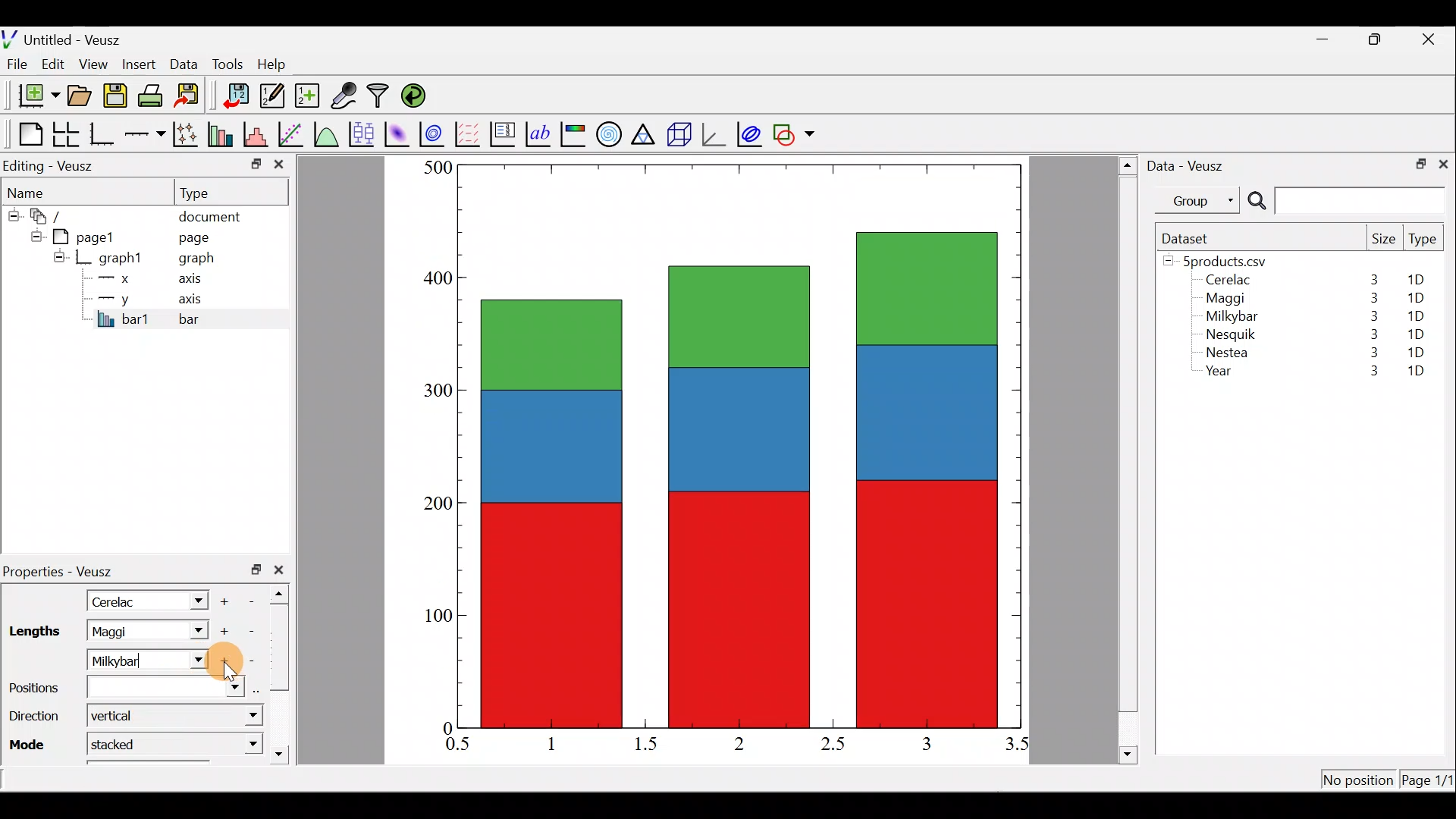 The height and width of the screenshot is (819, 1456). Describe the element at coordinates (188, 135) in the screenshot. I see `Plot points with lines and error bars` at that location.